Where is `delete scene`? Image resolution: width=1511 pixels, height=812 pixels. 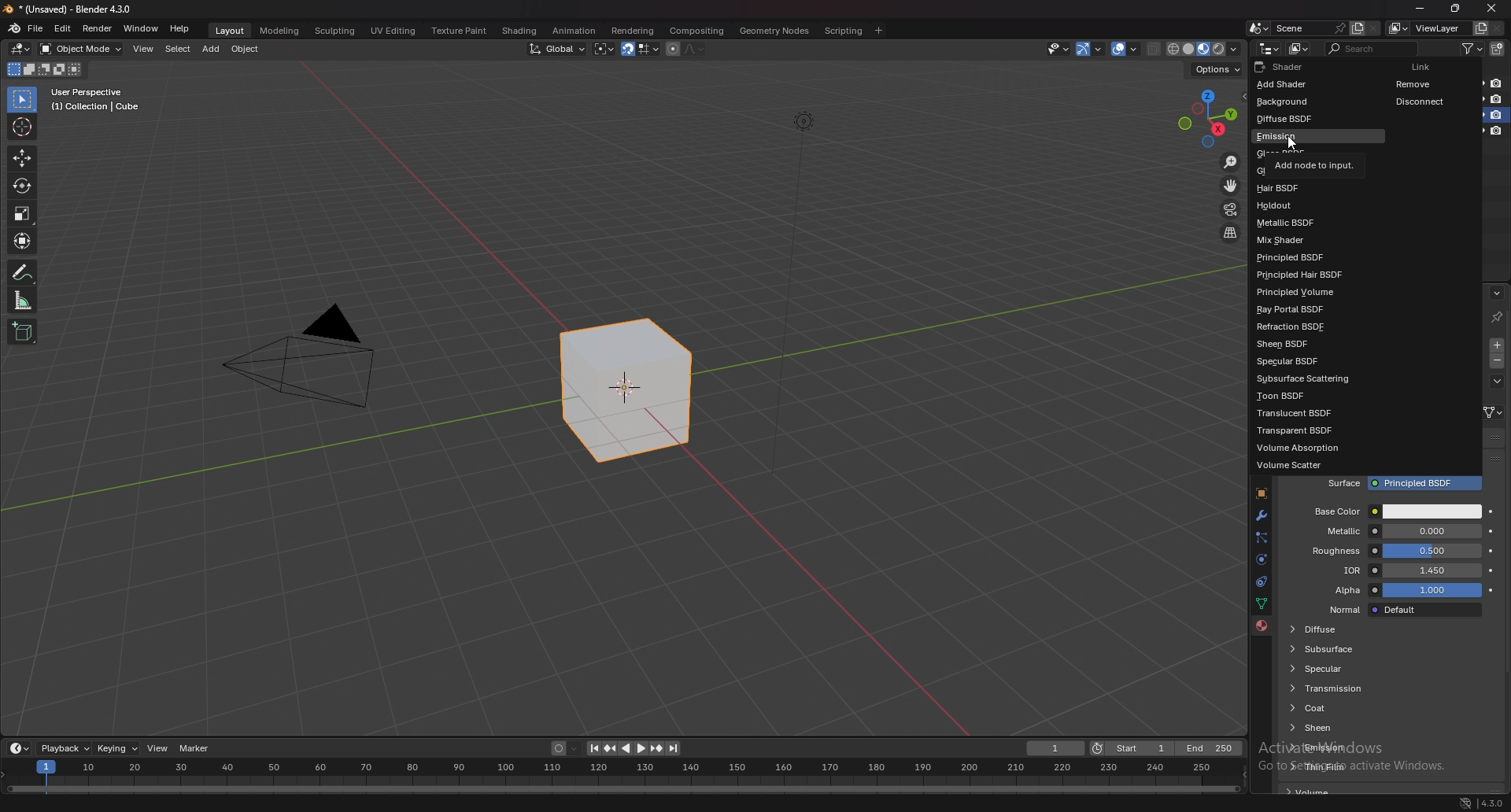 delete scene is located at coordinates (1374, 29).